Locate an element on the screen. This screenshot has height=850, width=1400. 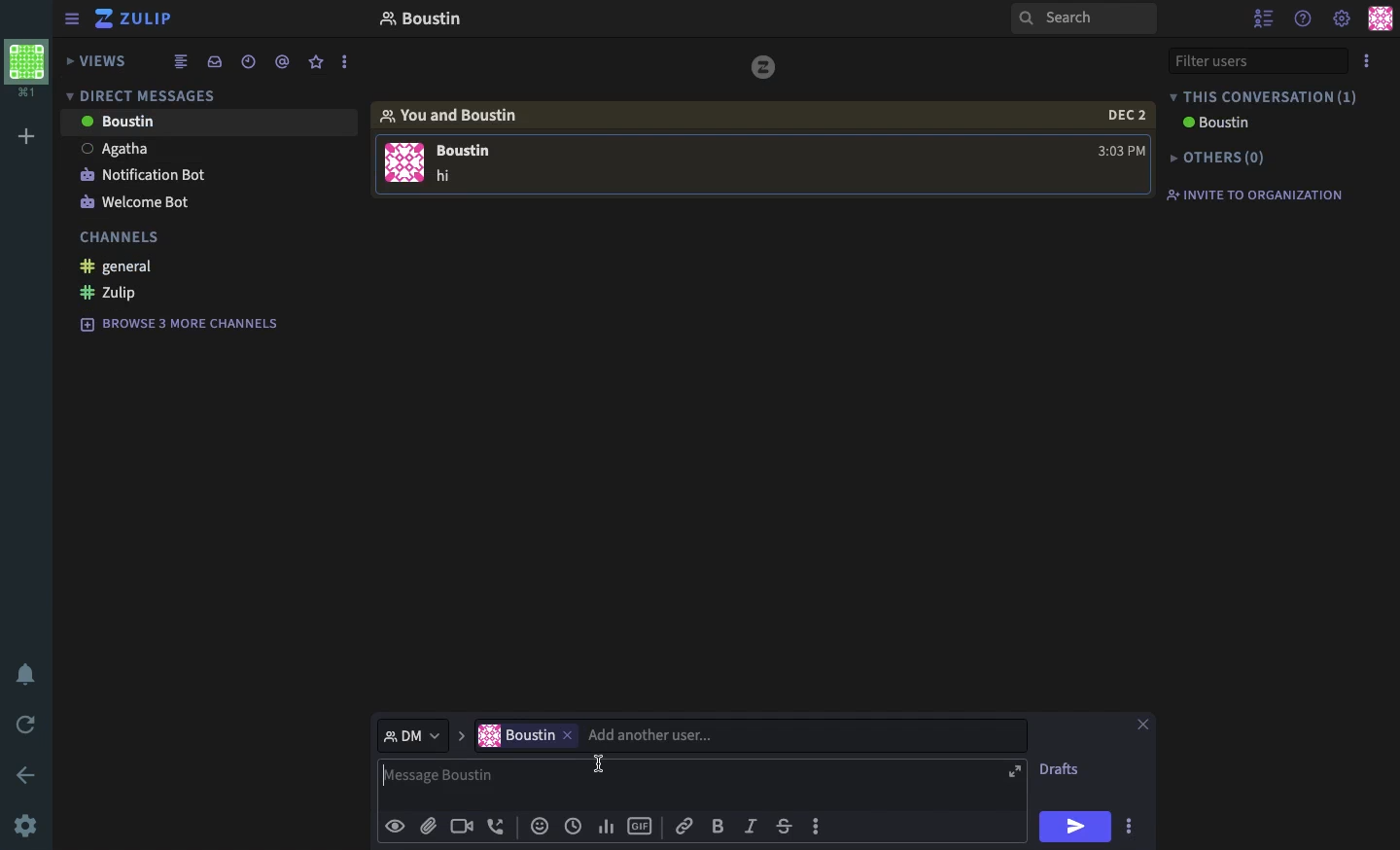
Boustin is located at coordinates (1220, 123).